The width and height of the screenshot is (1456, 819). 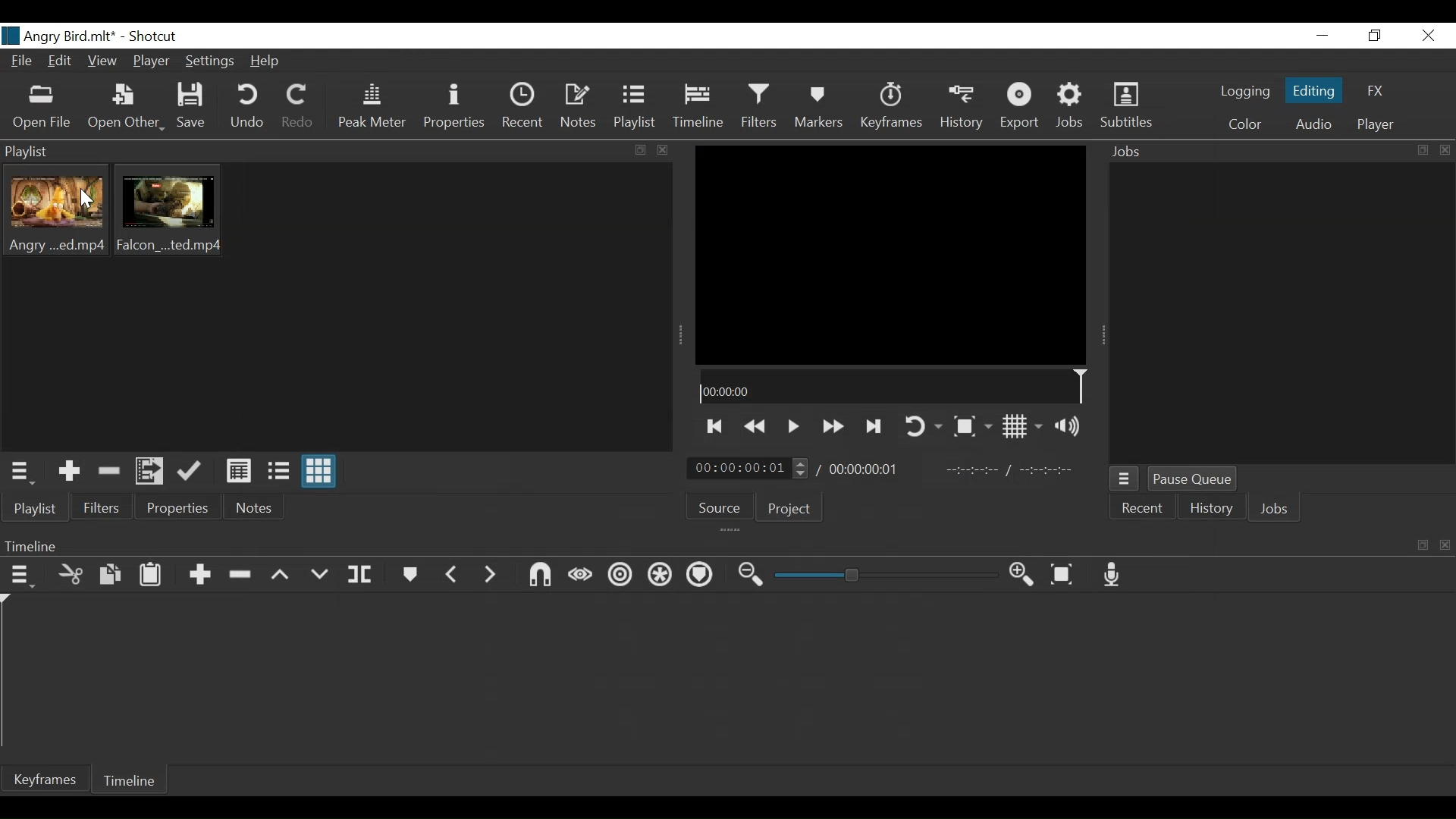 What do you see at coordinates (971, 427) in the screenshot?
I see `Toggle Zoom` at bounding box center [971, 427].